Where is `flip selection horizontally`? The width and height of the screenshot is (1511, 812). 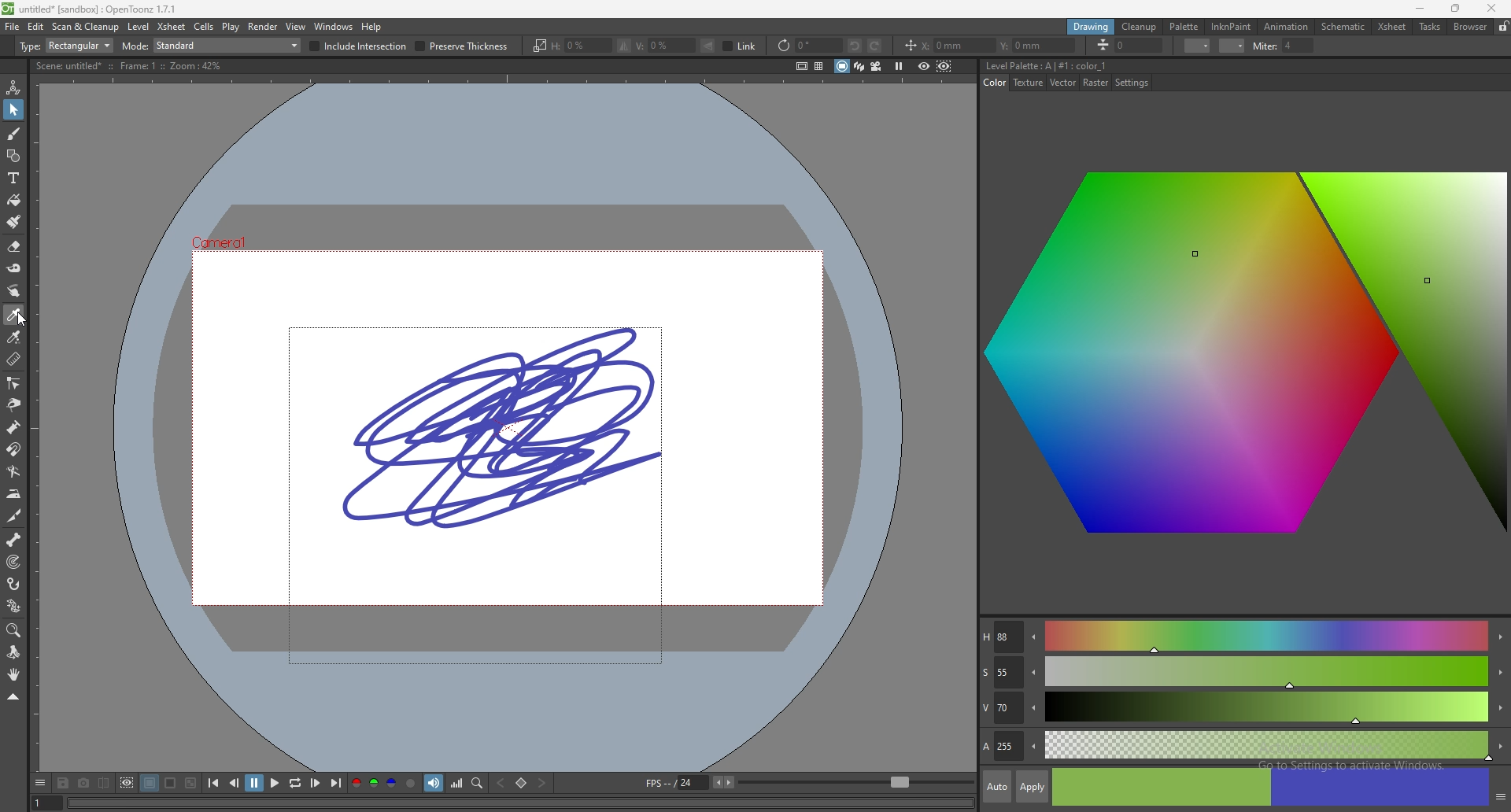 flip selection horizontally is located at coordinates (624, 46).